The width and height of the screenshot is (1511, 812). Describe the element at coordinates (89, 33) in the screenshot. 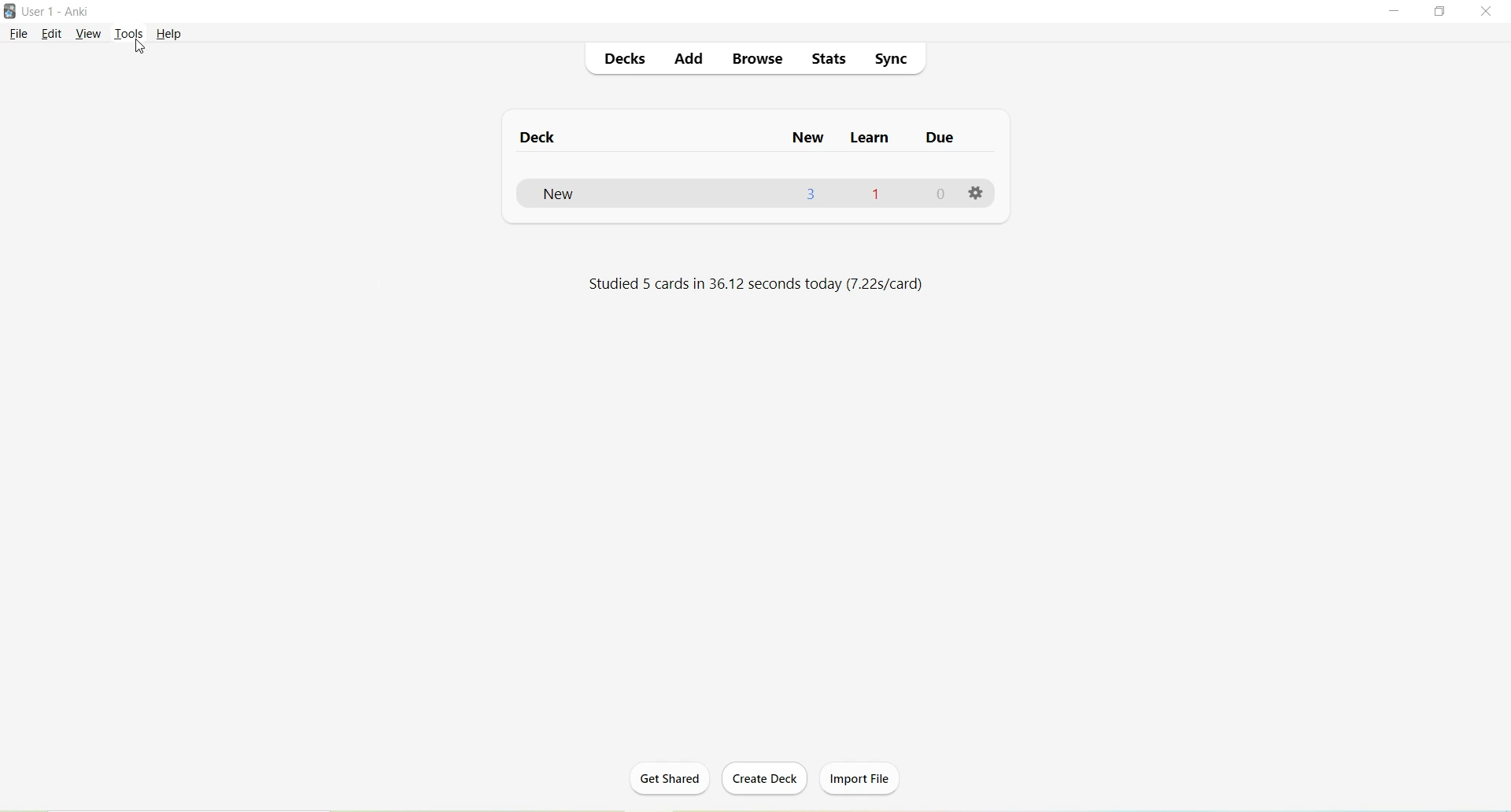

I see `View` at that location.